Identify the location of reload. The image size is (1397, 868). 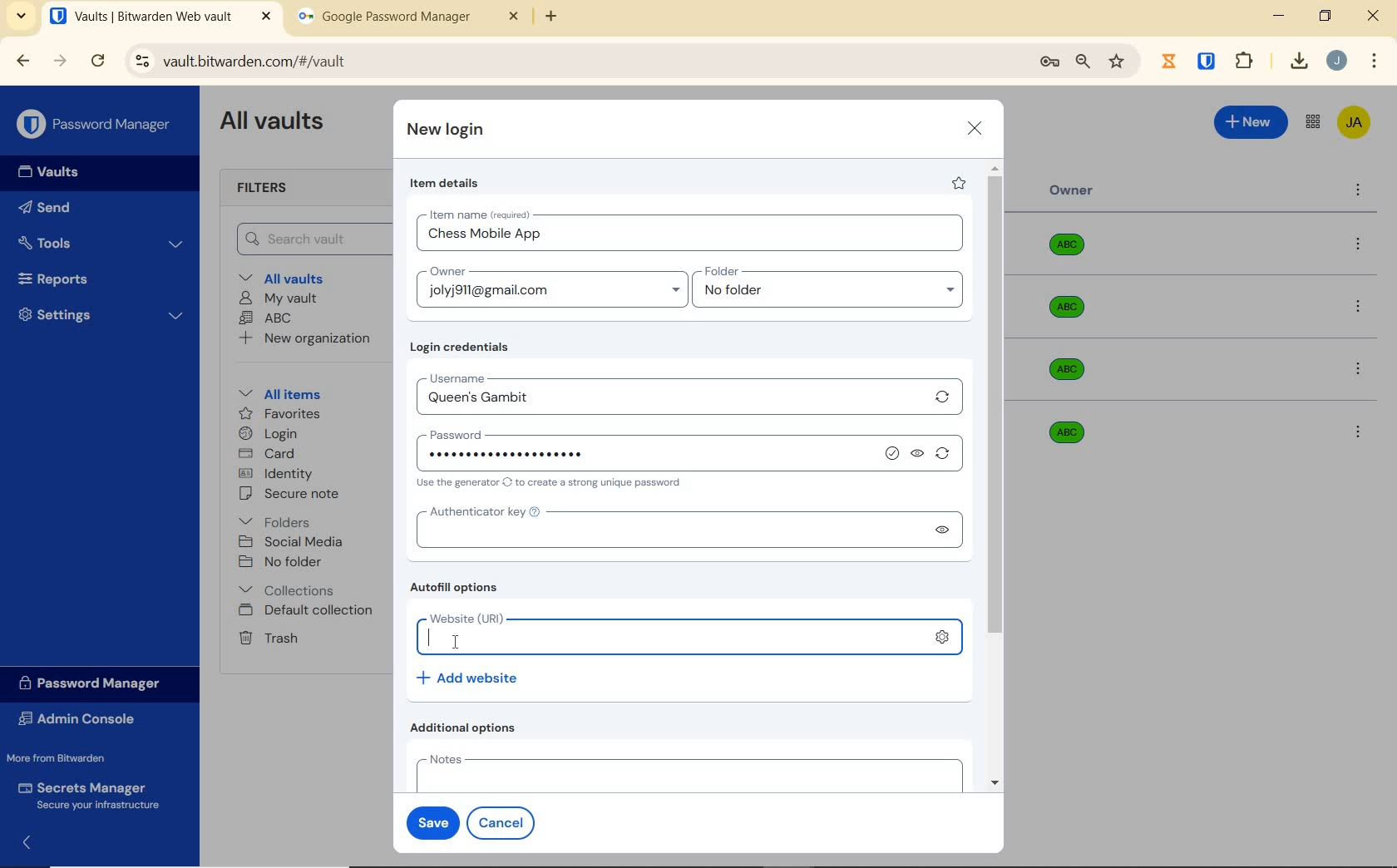
(97, 62).